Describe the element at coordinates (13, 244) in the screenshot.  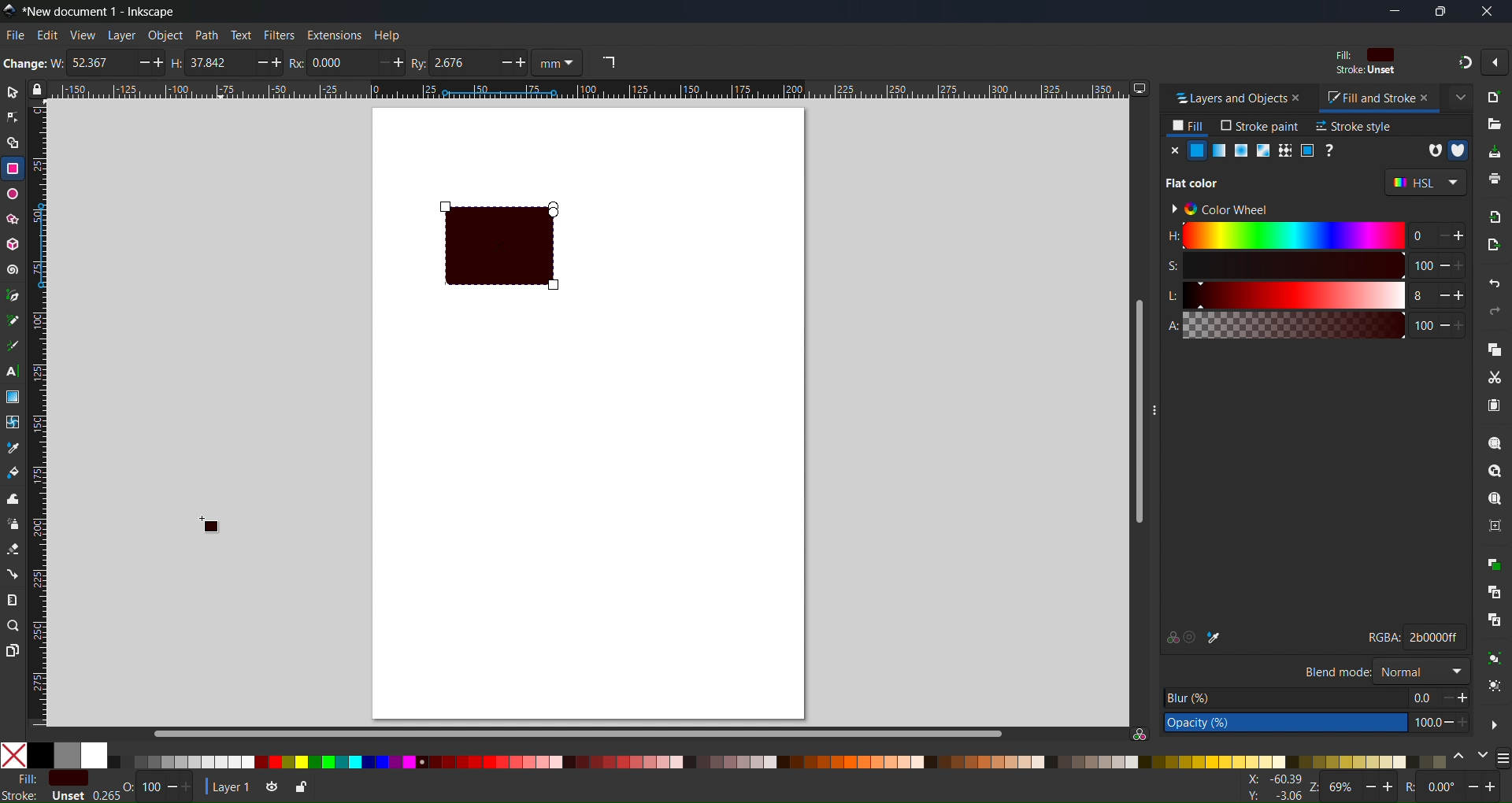
I see `3D box tool` at that location.